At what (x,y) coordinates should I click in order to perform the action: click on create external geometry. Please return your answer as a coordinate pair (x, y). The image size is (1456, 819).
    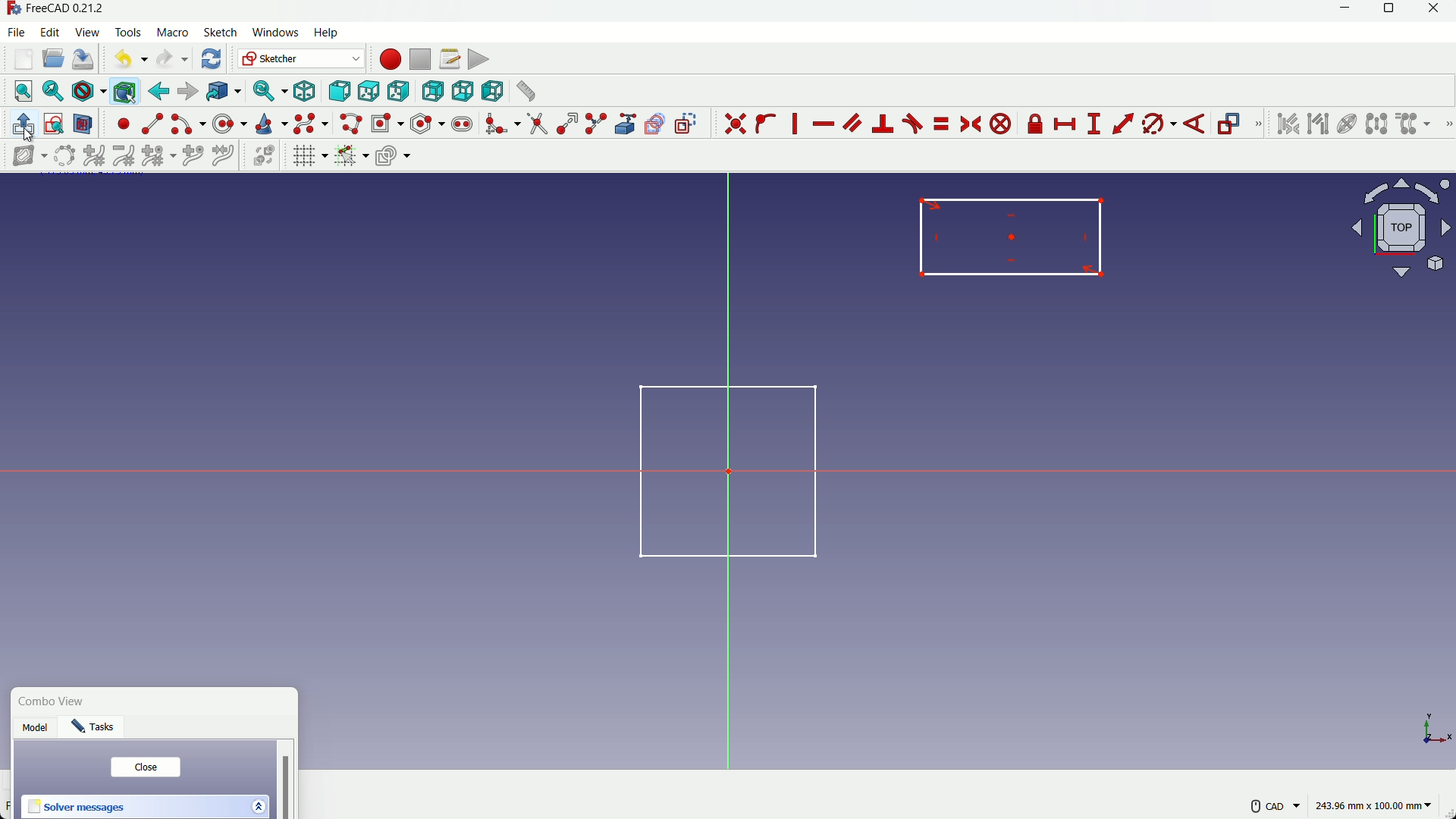
    Looking at the image, I should click on (627, 124).